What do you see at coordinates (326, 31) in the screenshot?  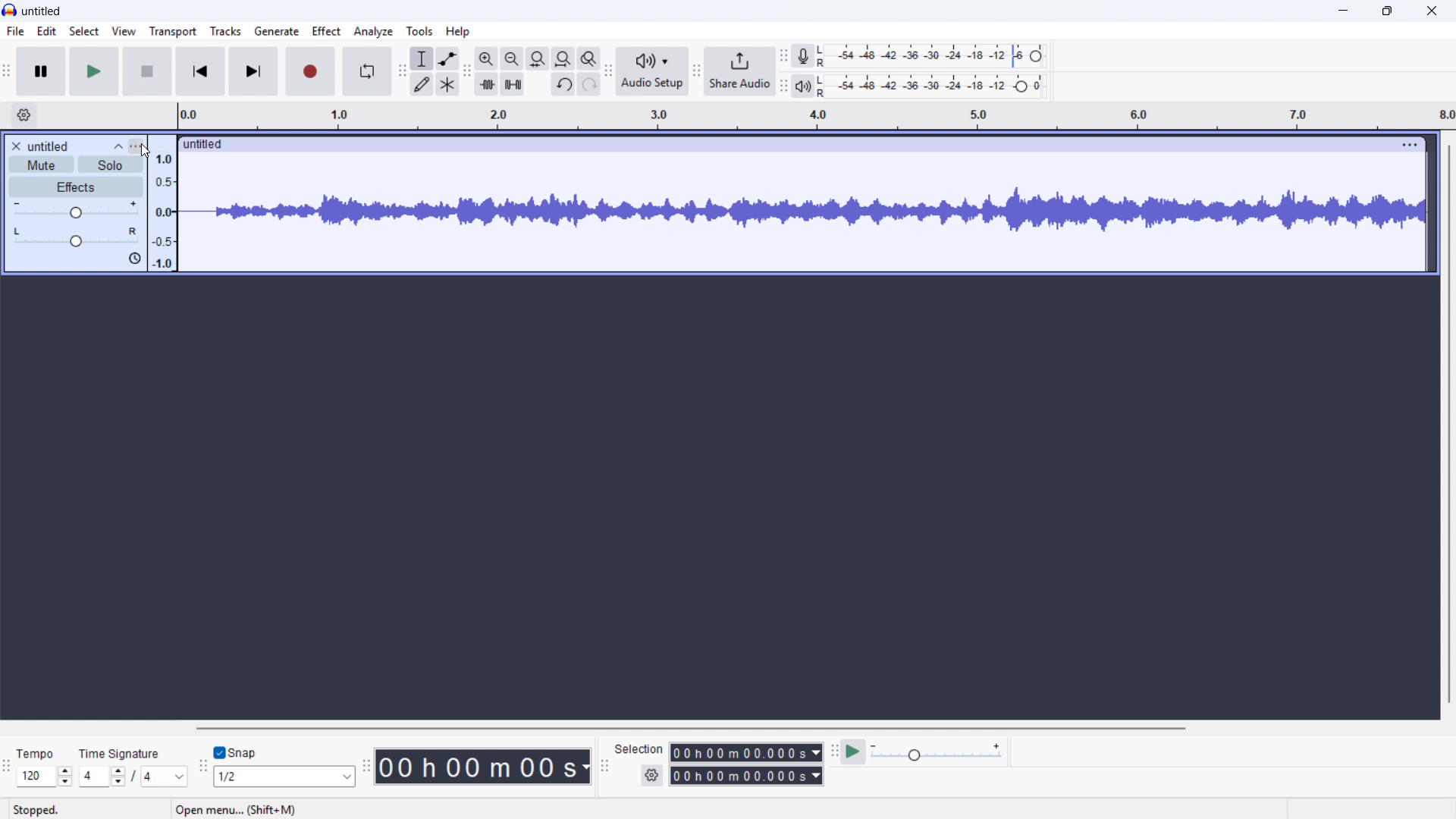 I see `Effect ` at bounding box center [326, 31].